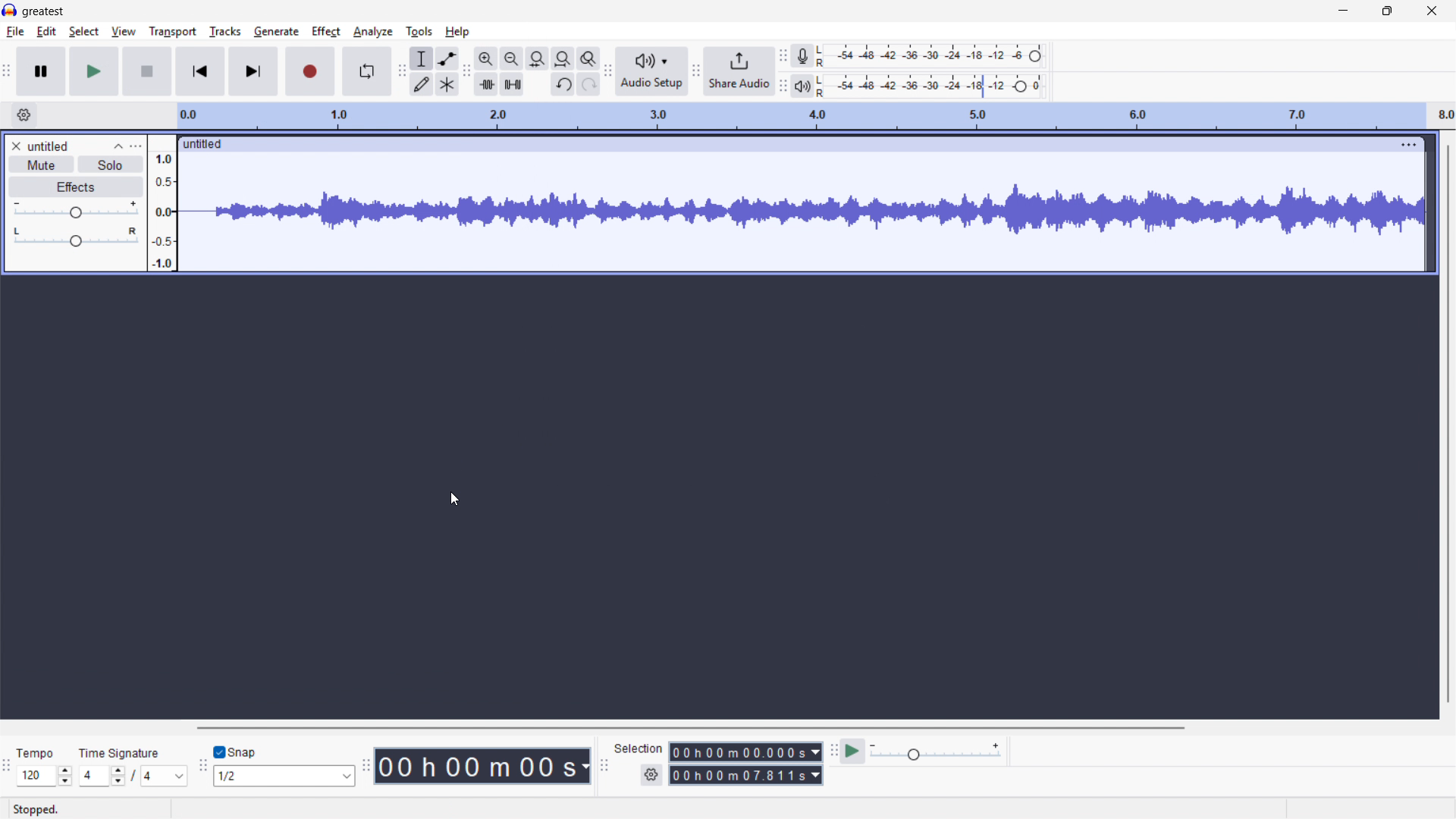  Describe the element at coordinates (109, 165) in the screenshot. I see `solo` at that location.